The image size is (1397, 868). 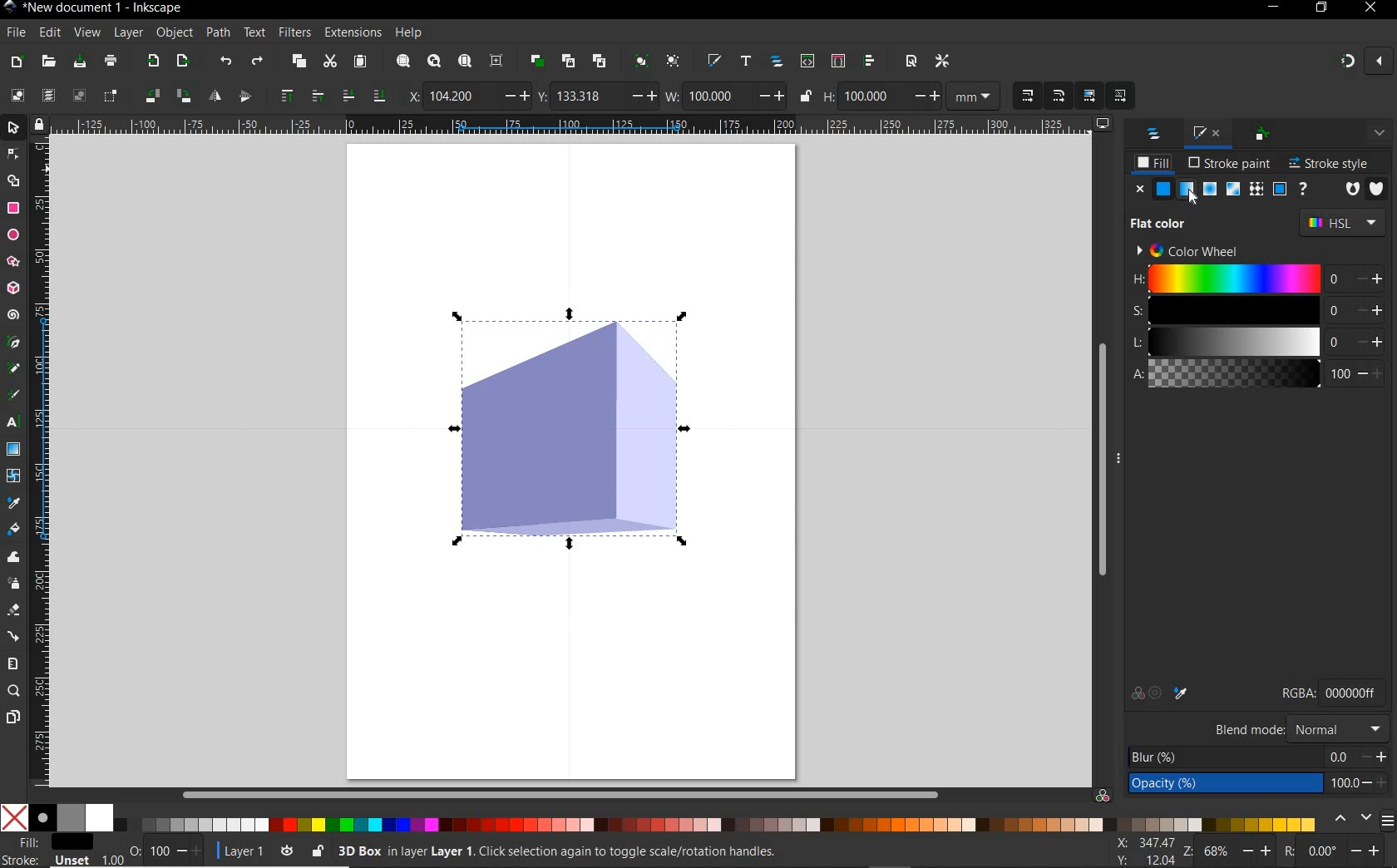 I want to click on OBJECT, so click(x=176, y=33).